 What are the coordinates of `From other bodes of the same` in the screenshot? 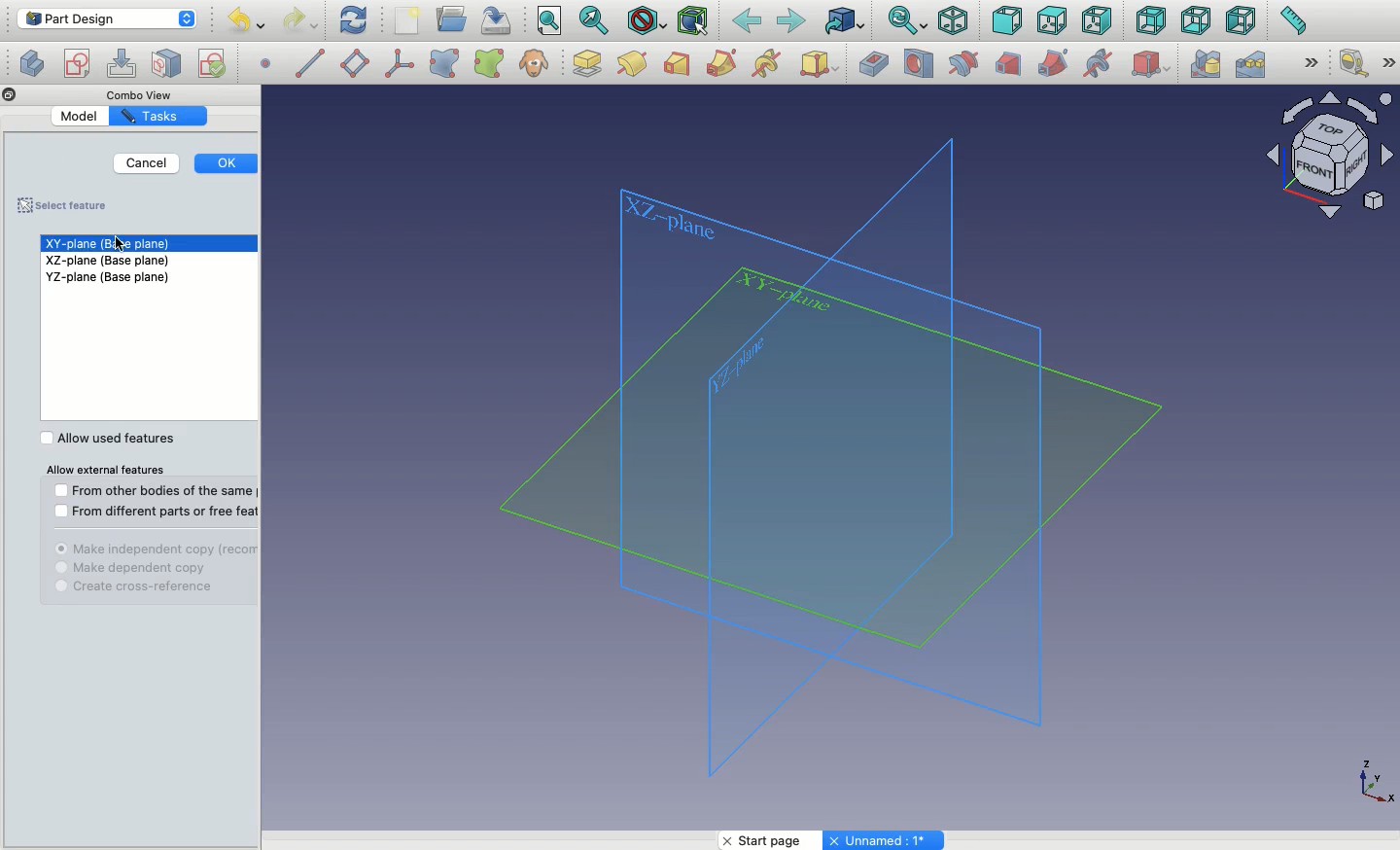 It's located at (155, 489).